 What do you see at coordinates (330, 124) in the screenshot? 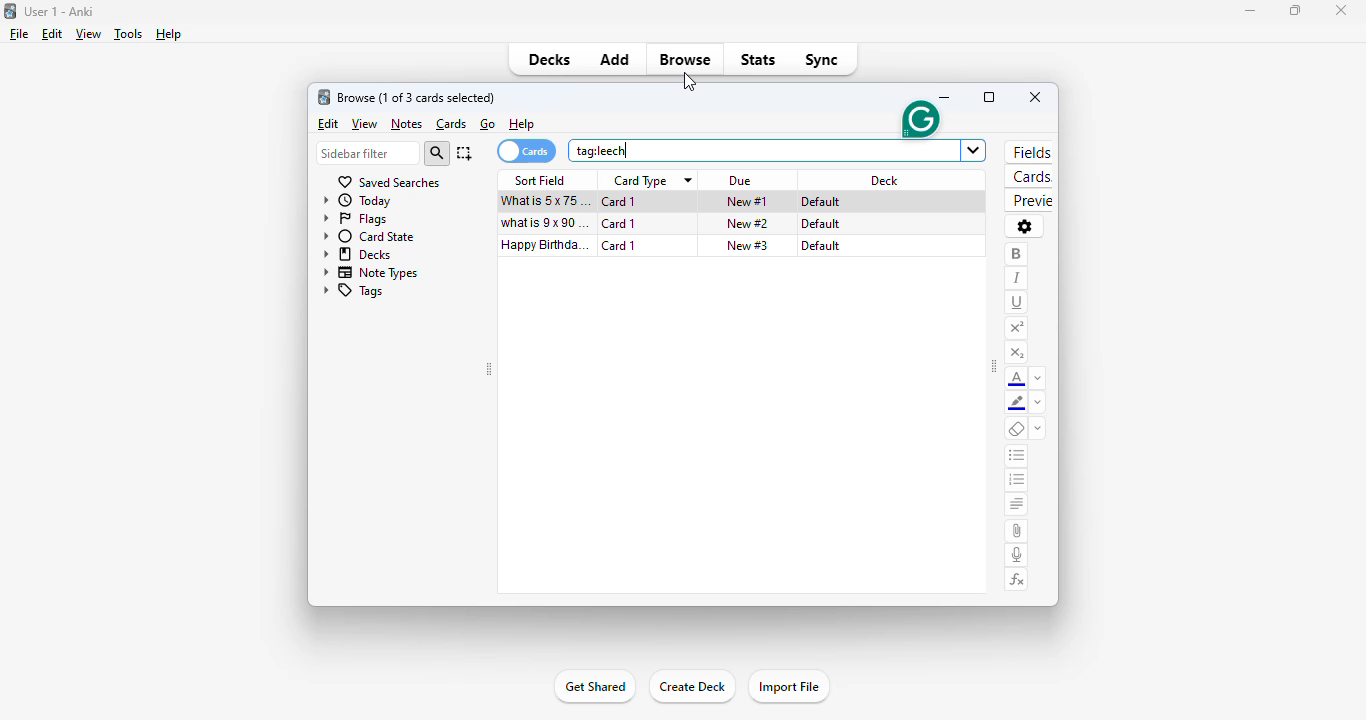
I see `edit` at bounding box center [330, 124].